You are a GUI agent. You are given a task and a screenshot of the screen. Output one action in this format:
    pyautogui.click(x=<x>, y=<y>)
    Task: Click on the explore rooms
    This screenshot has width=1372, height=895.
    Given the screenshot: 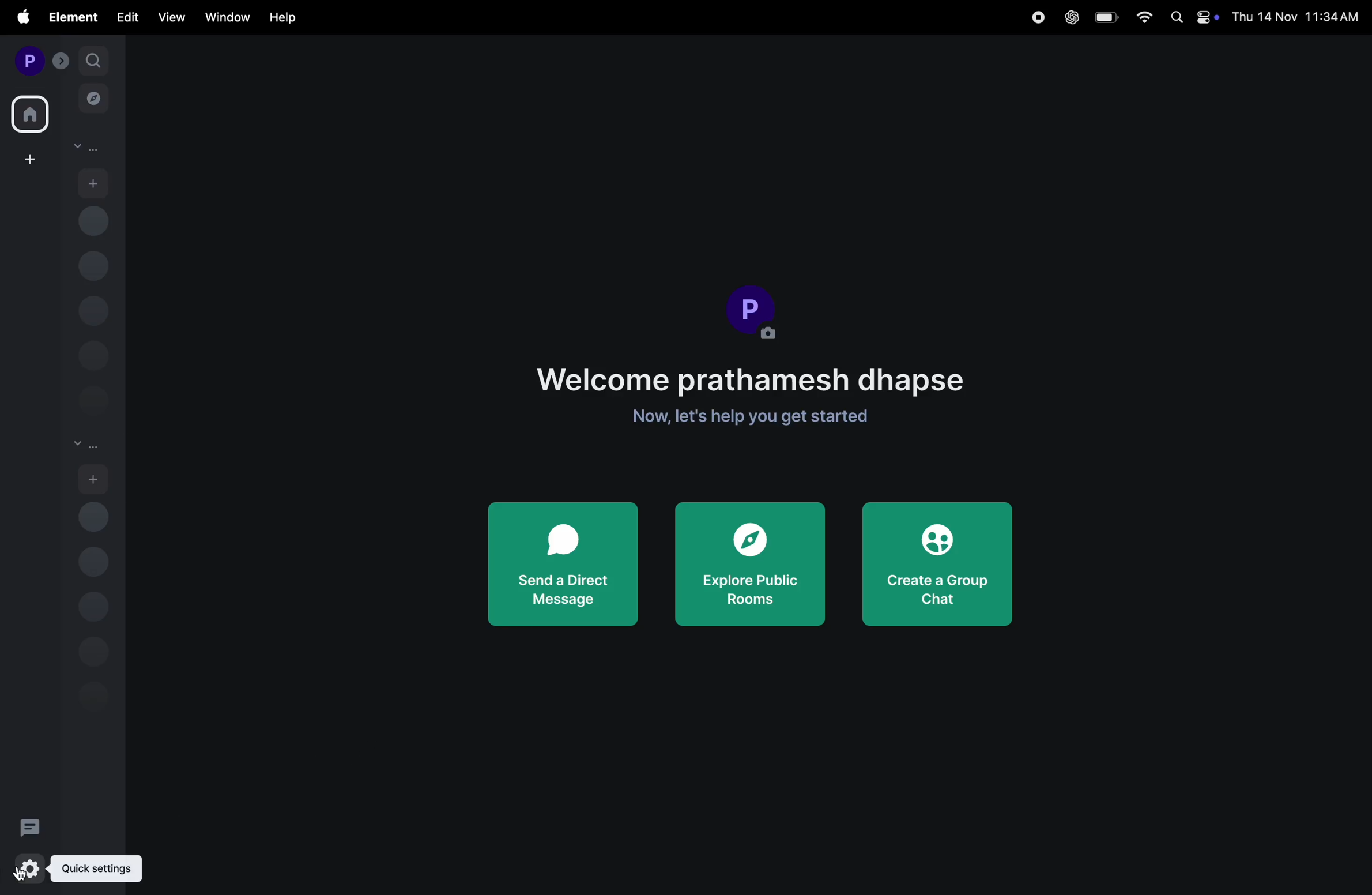 What is the action you would take?
    pyautogui.click(x=94, y=101)
    